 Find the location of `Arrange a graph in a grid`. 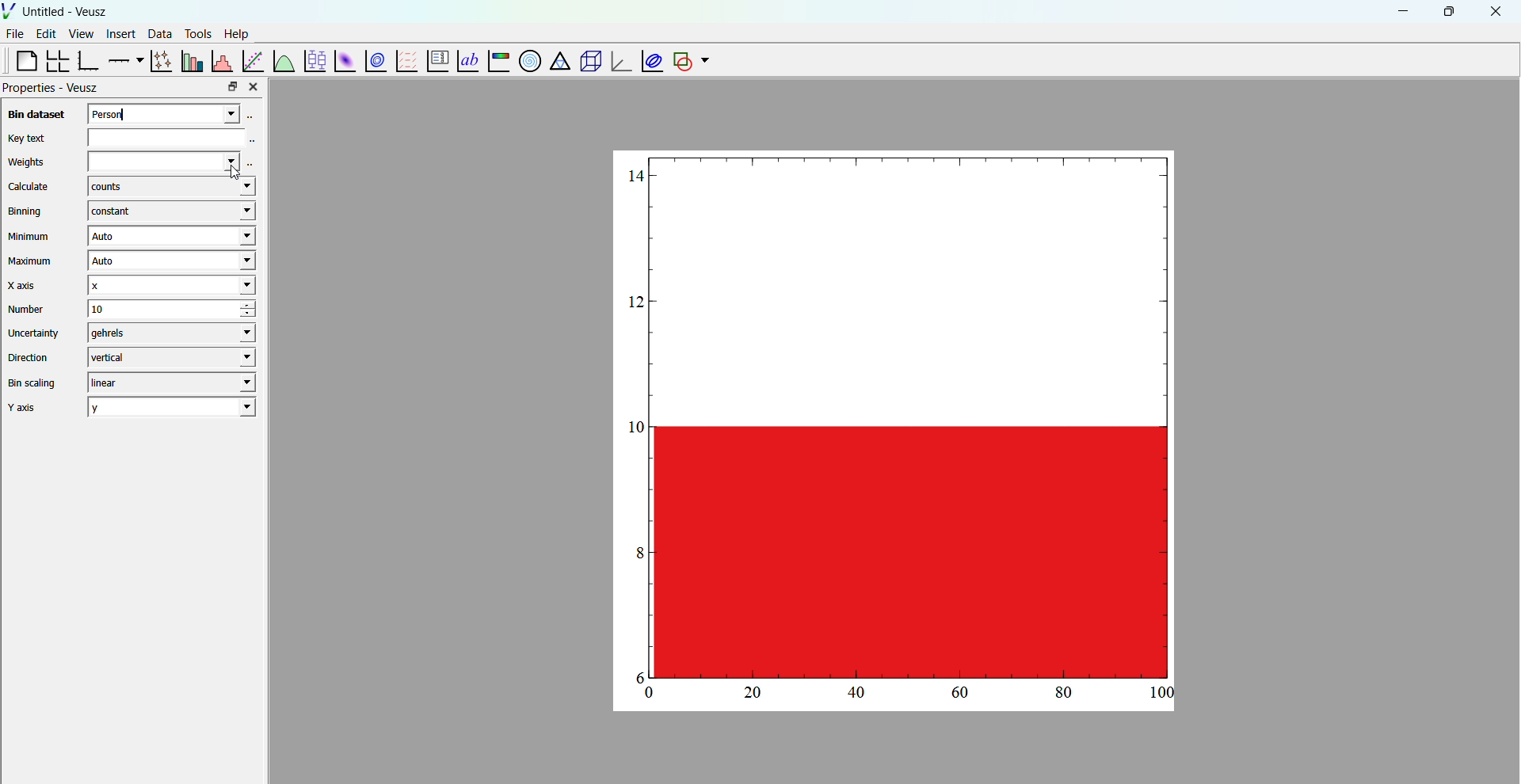

Arrange a graph in a grid is located at coordinates (56, 62).